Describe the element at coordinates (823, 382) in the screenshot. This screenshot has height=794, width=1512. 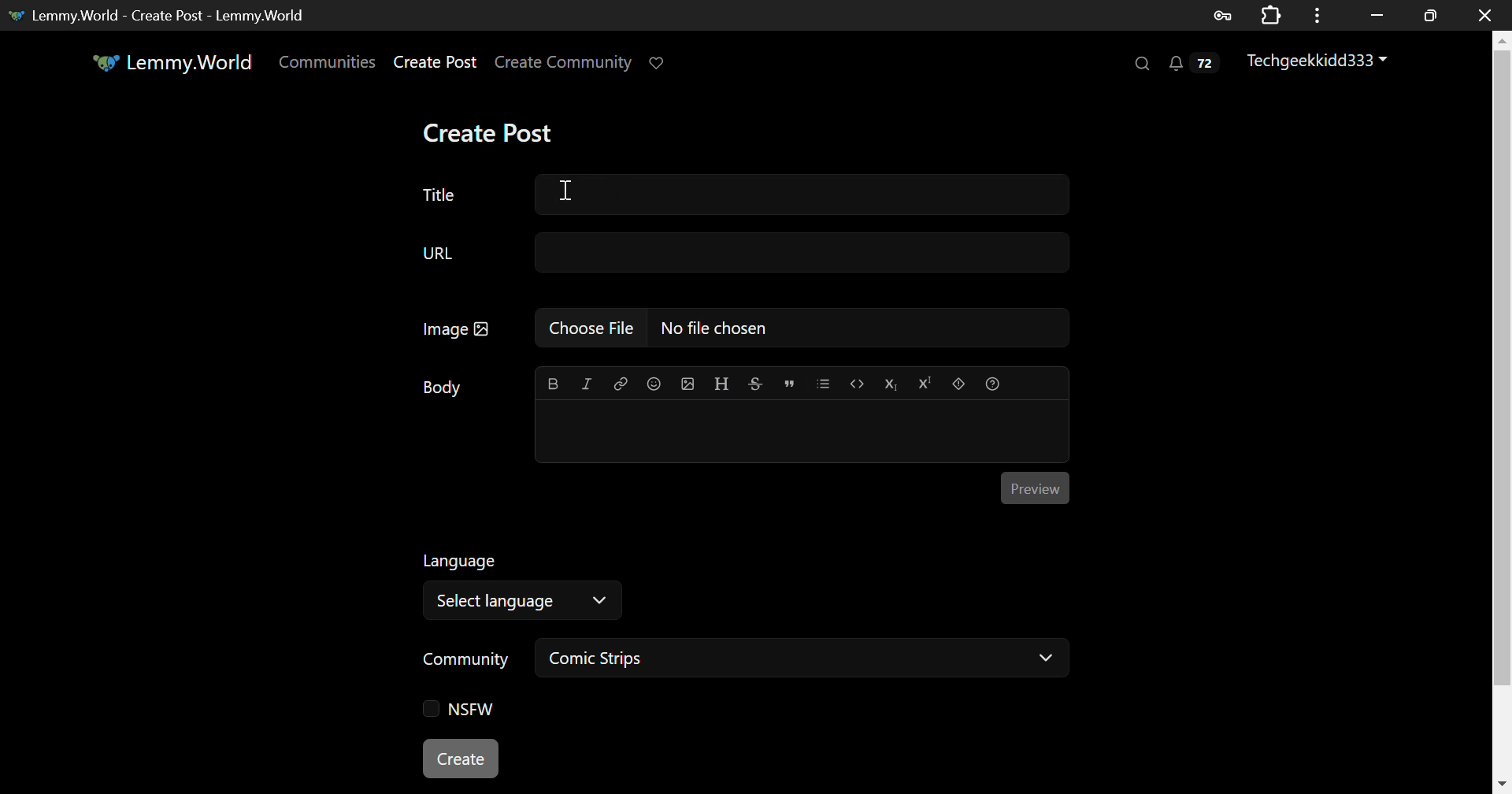
I see `List` at that location.